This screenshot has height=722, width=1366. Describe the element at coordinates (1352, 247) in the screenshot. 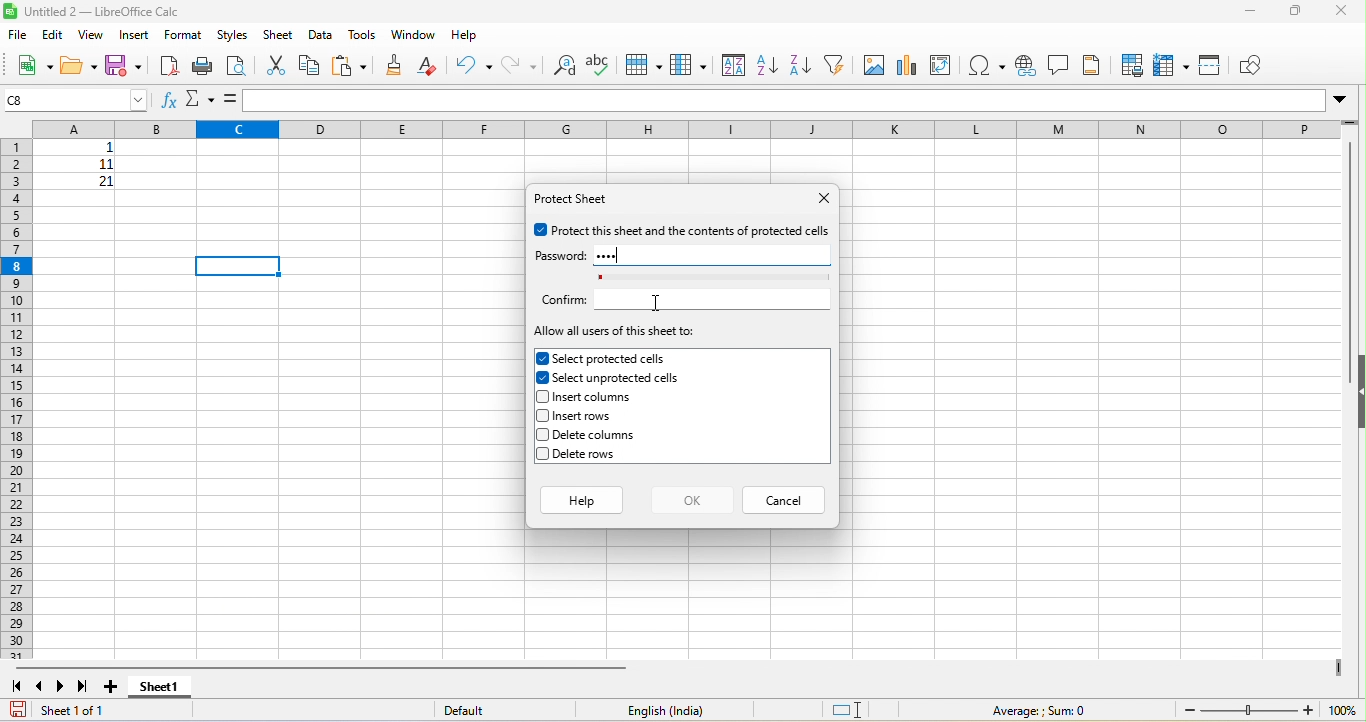

I see `vertical scroll bar` at that location.